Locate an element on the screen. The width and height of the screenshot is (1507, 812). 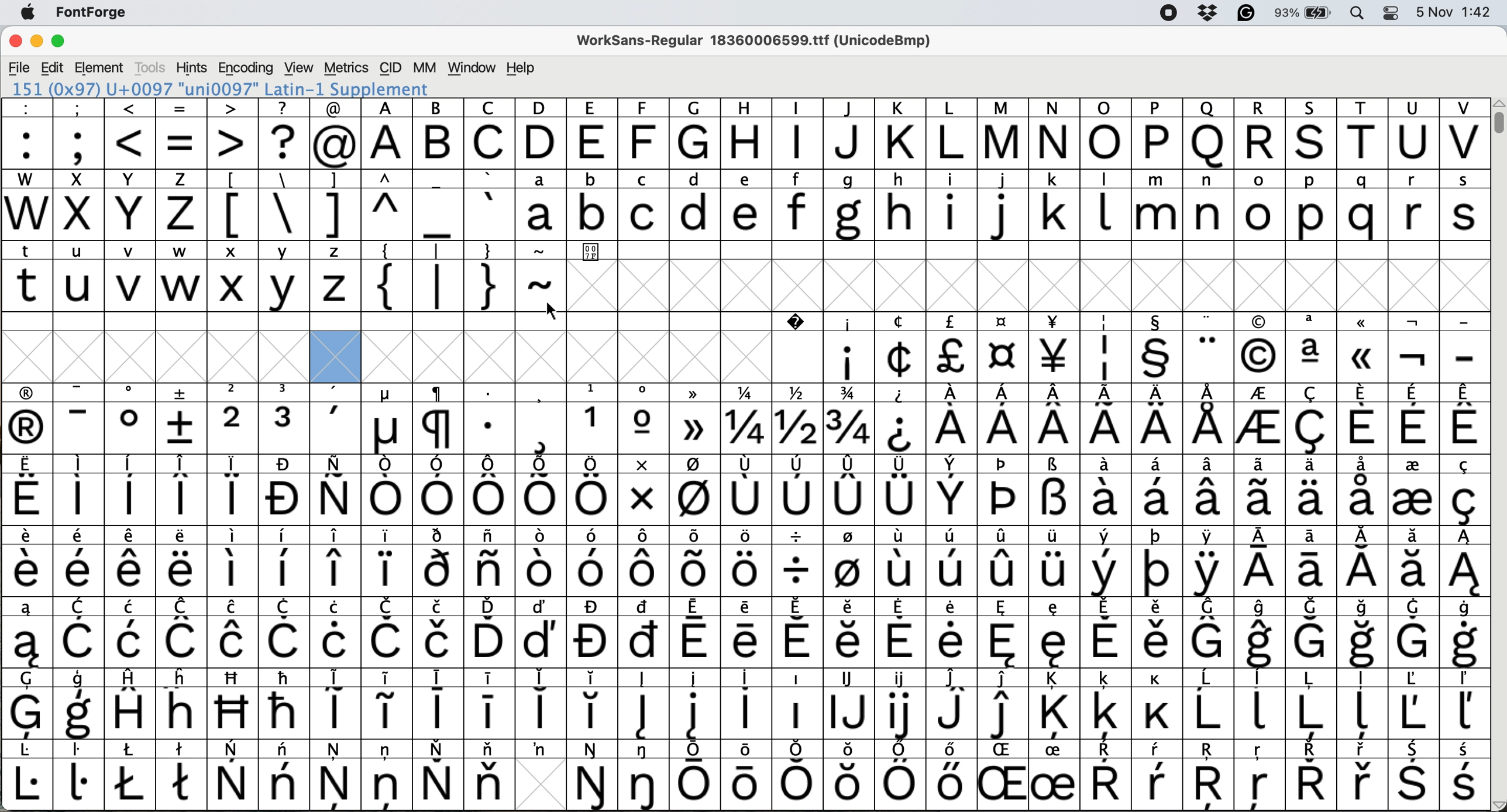
symbol is located at coordinates (1004, 490).